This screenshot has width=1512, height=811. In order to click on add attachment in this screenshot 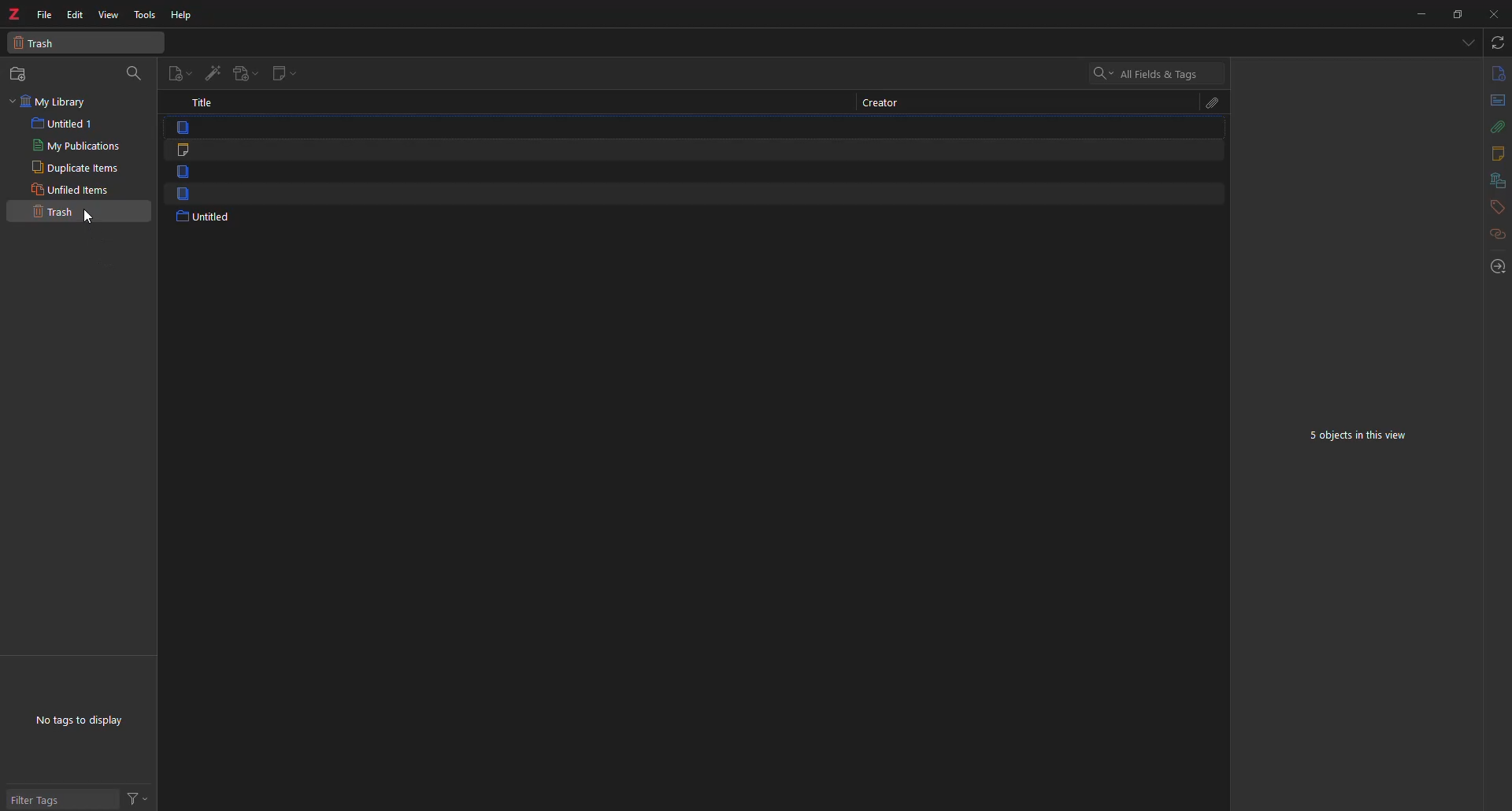, I will do `click(243, 73)`.